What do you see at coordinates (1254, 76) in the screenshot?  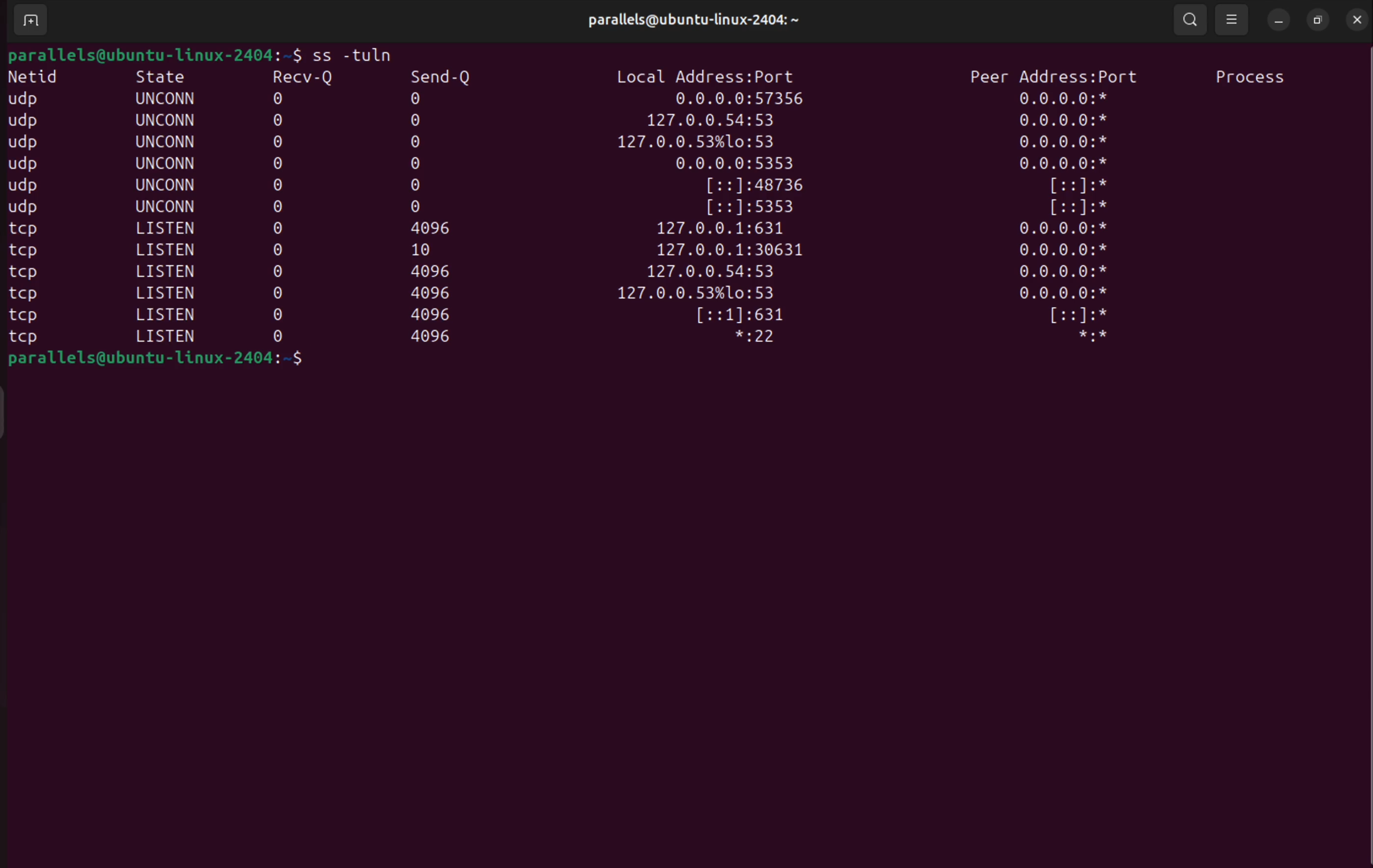 I see `process` at bounding box center [1254, 76].